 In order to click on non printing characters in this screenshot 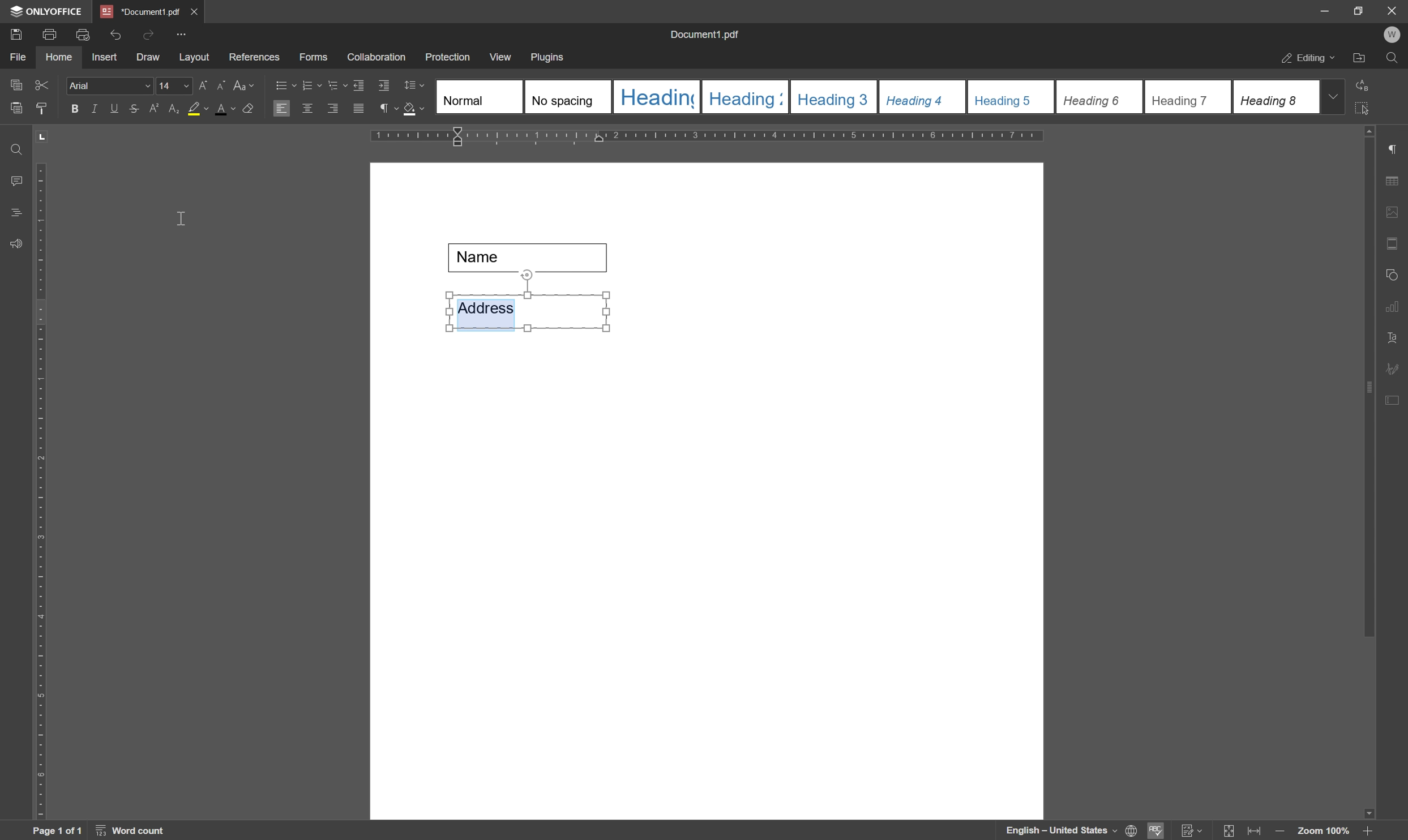, I will do `click(387, 110)`.